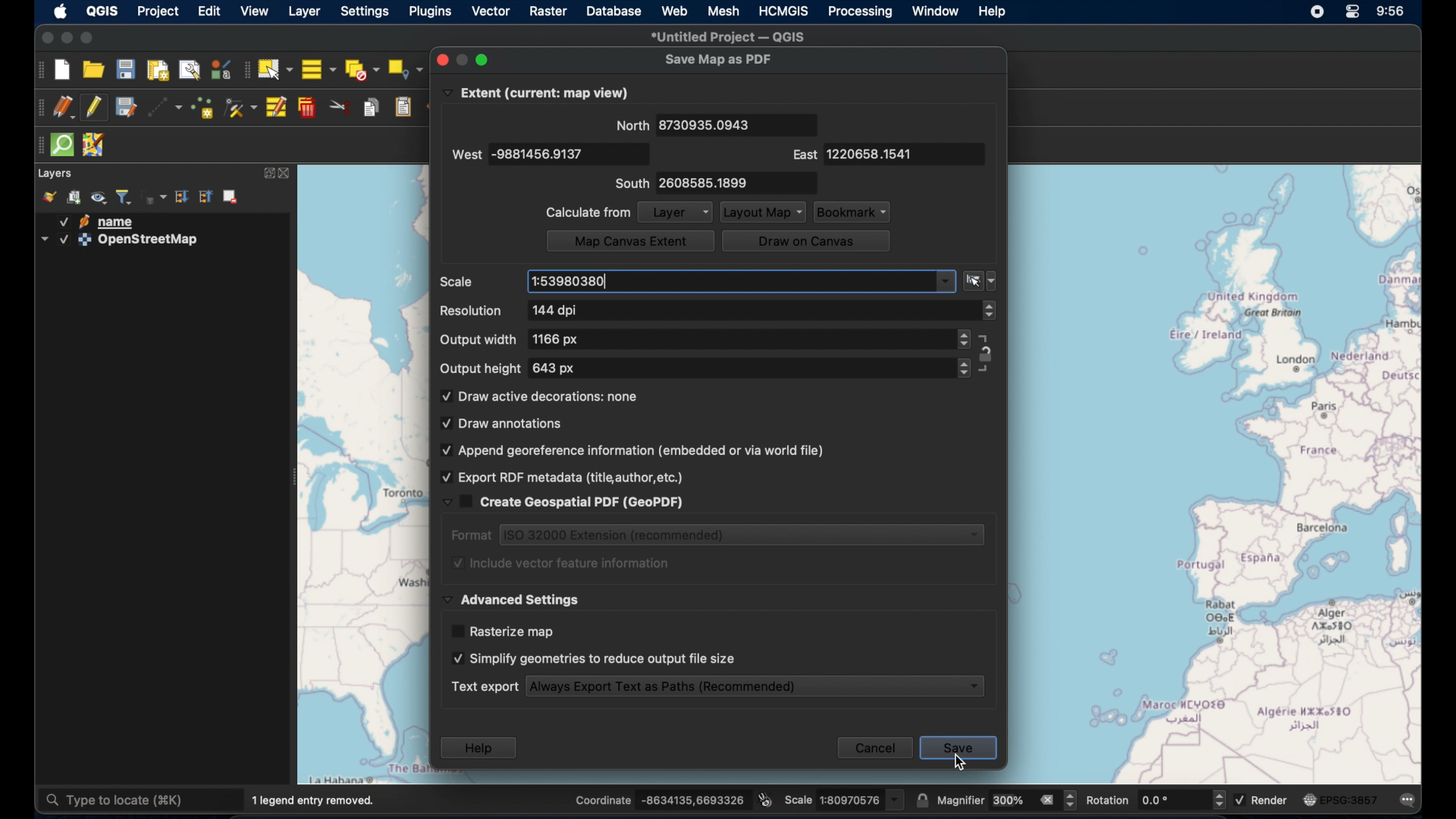  I want to click on QGIS, so click(102, 11).